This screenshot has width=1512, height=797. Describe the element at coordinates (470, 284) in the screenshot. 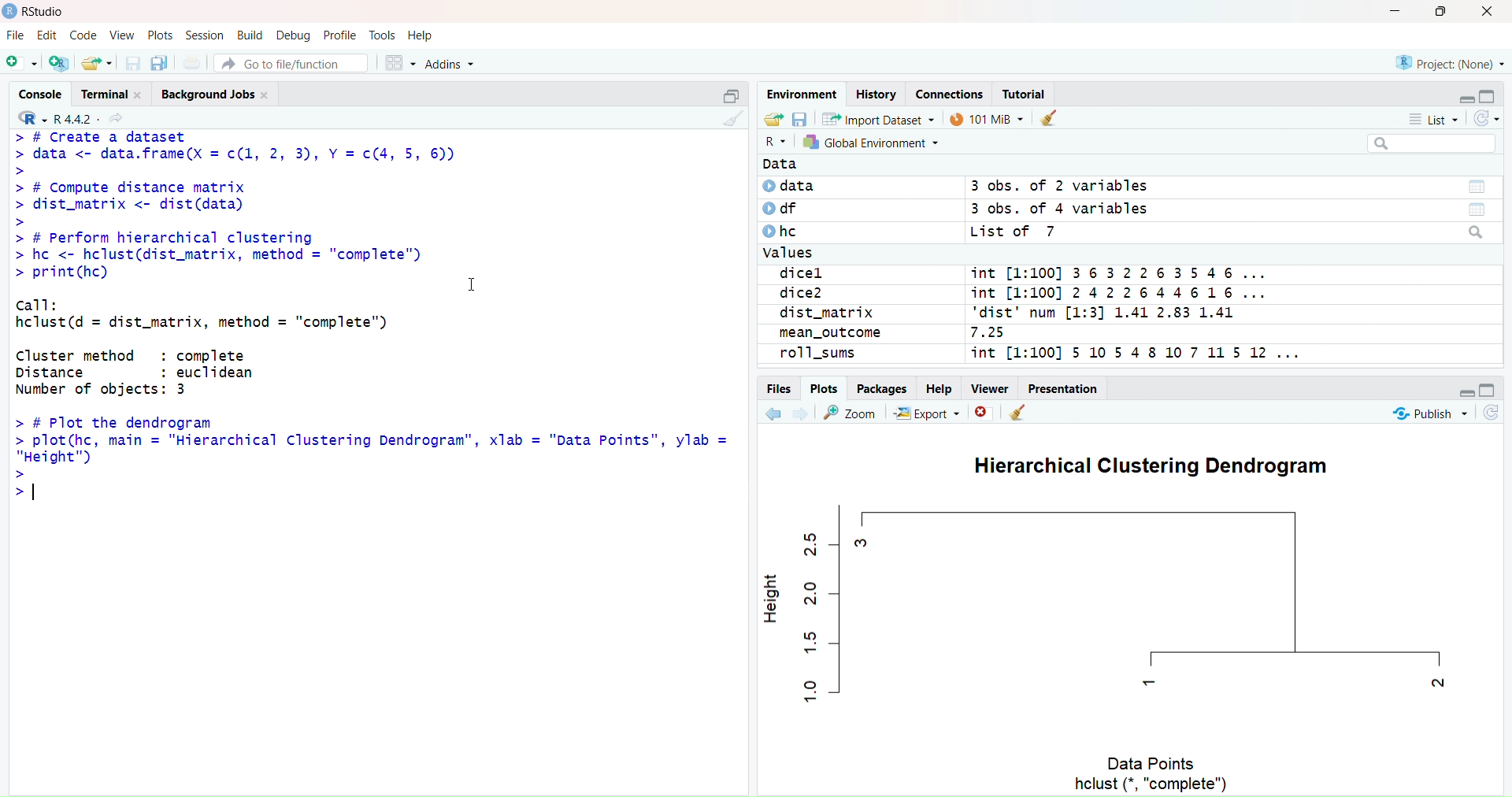

I see `Text cursor` at that location.